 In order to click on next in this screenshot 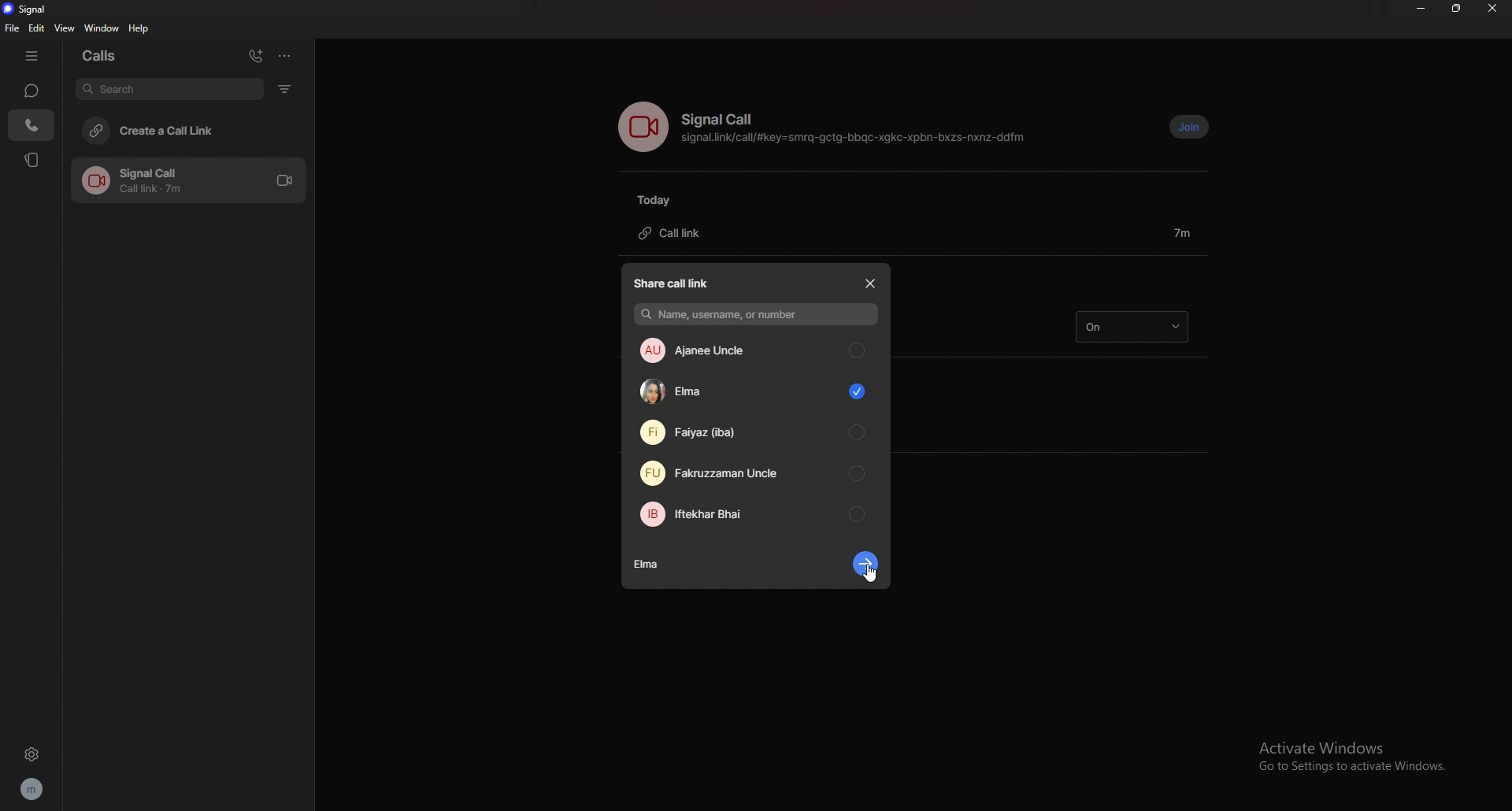, I will do `click(866, 564)`.